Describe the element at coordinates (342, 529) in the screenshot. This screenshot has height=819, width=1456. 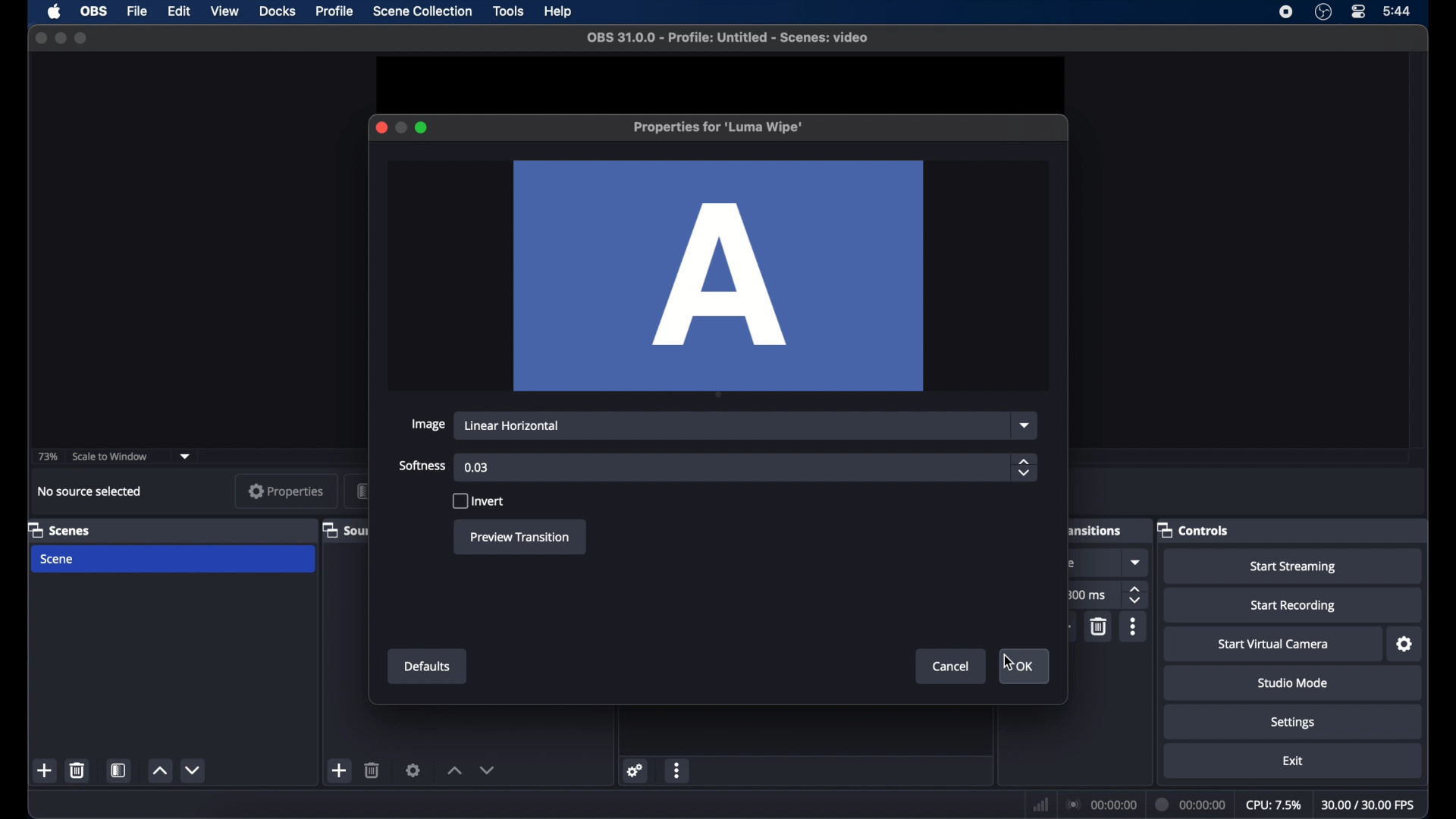
I see `sources` at that location.